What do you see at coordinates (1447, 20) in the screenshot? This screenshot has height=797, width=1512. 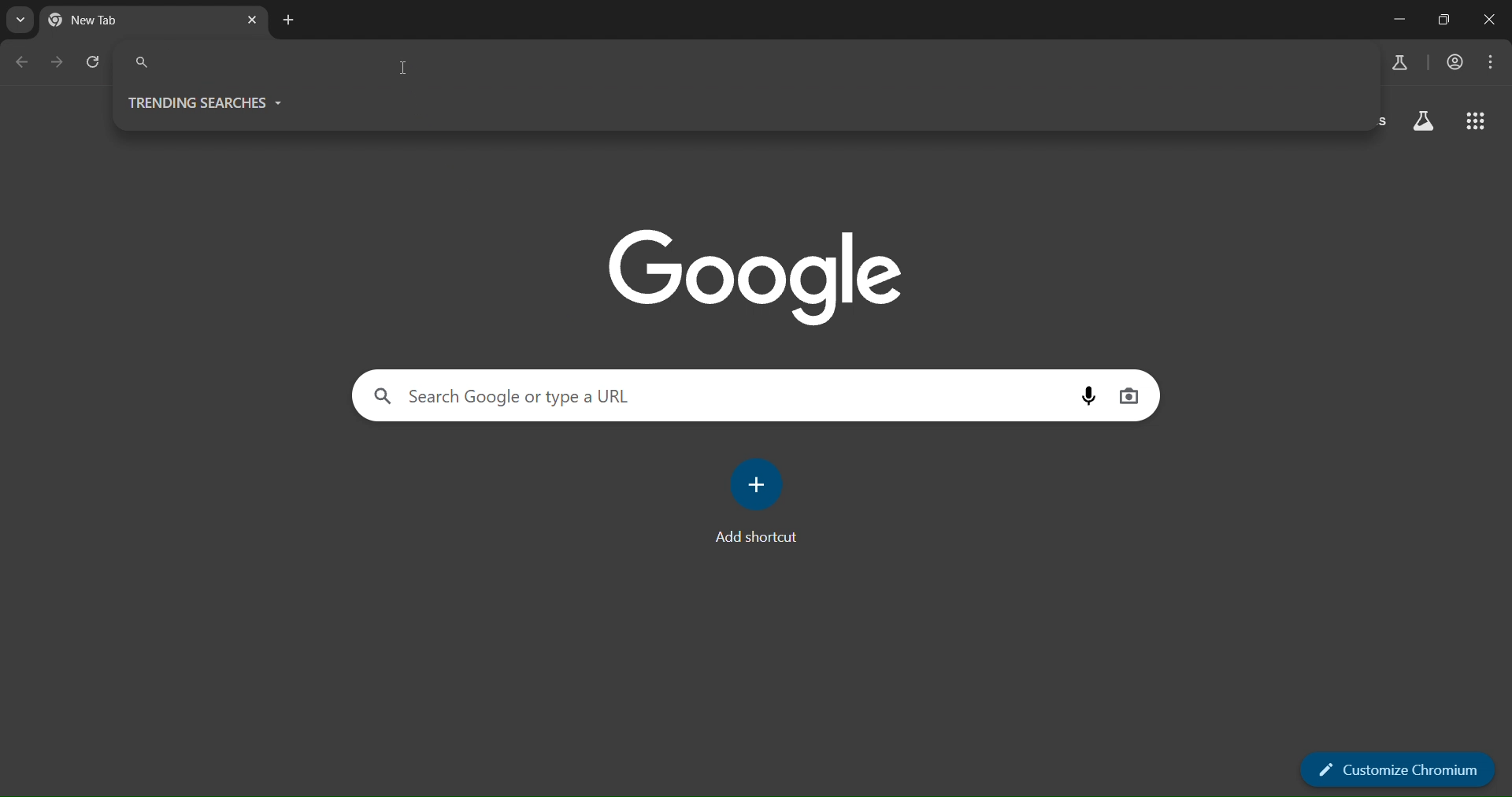 I see `restore down` at bounding box center [1447, 20].